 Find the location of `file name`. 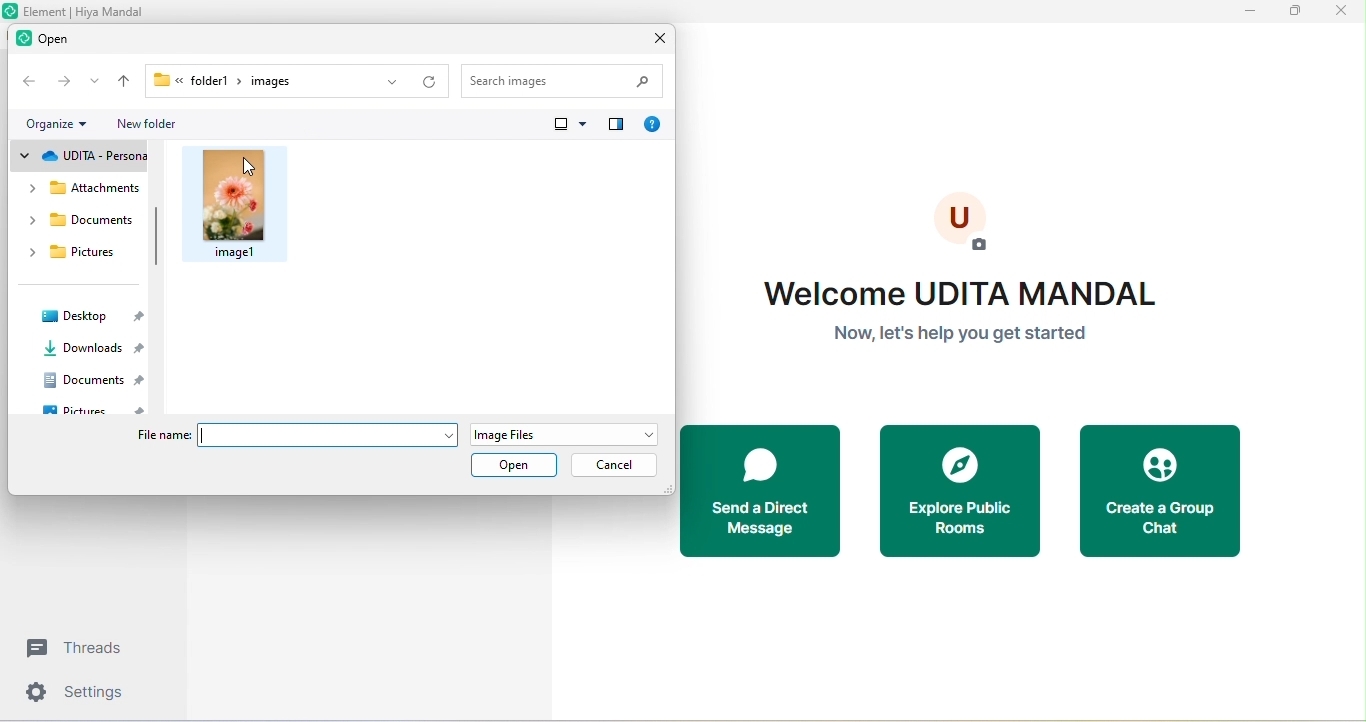

file name is located at coordinates (293, 436).